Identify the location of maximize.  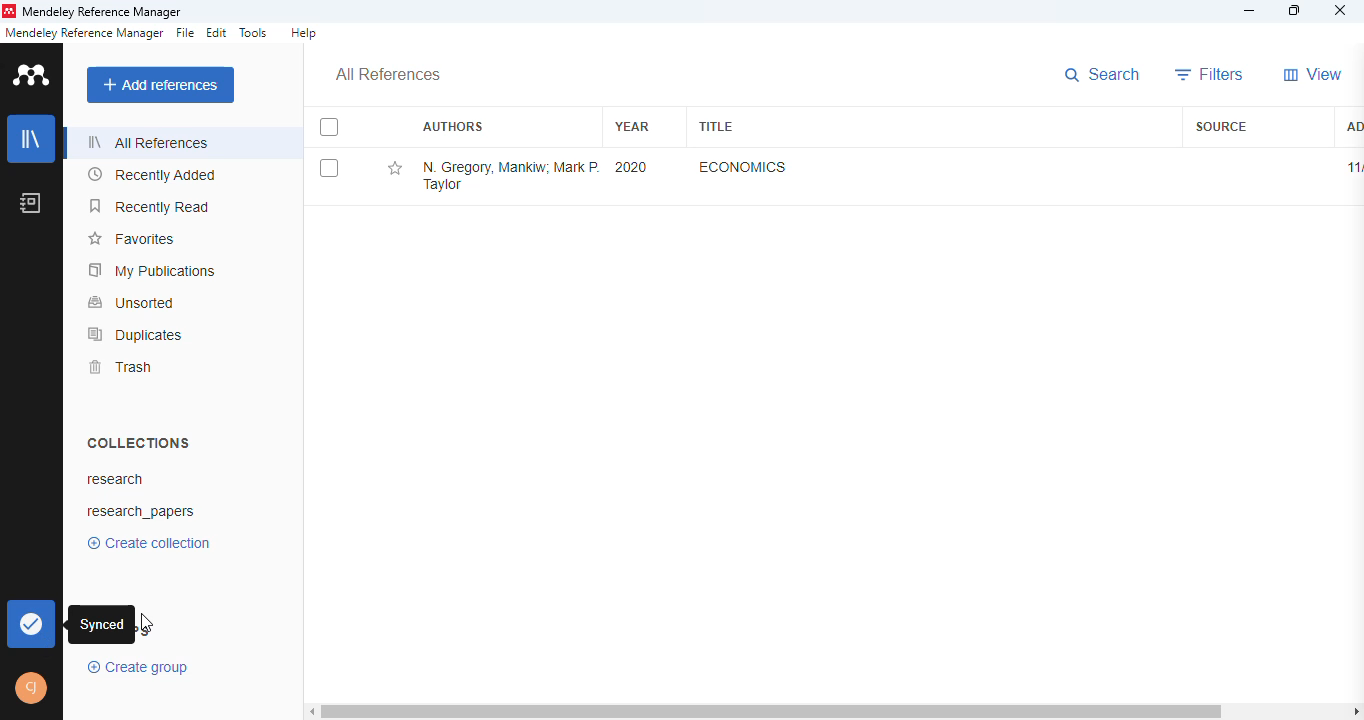
(1294, 10).